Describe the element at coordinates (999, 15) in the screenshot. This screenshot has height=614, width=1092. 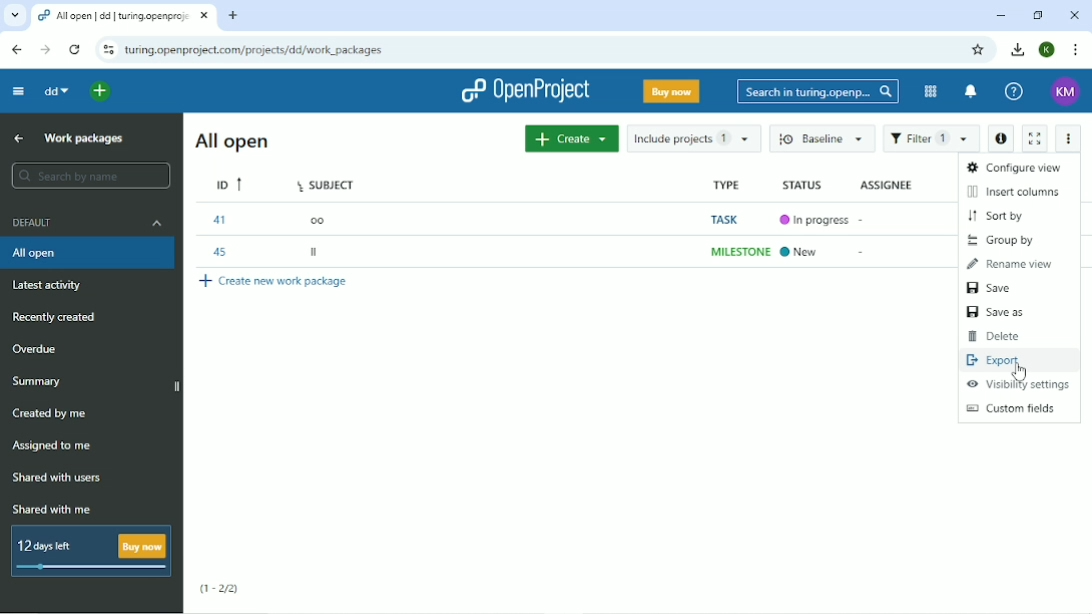
I see `Minimize` at that location.